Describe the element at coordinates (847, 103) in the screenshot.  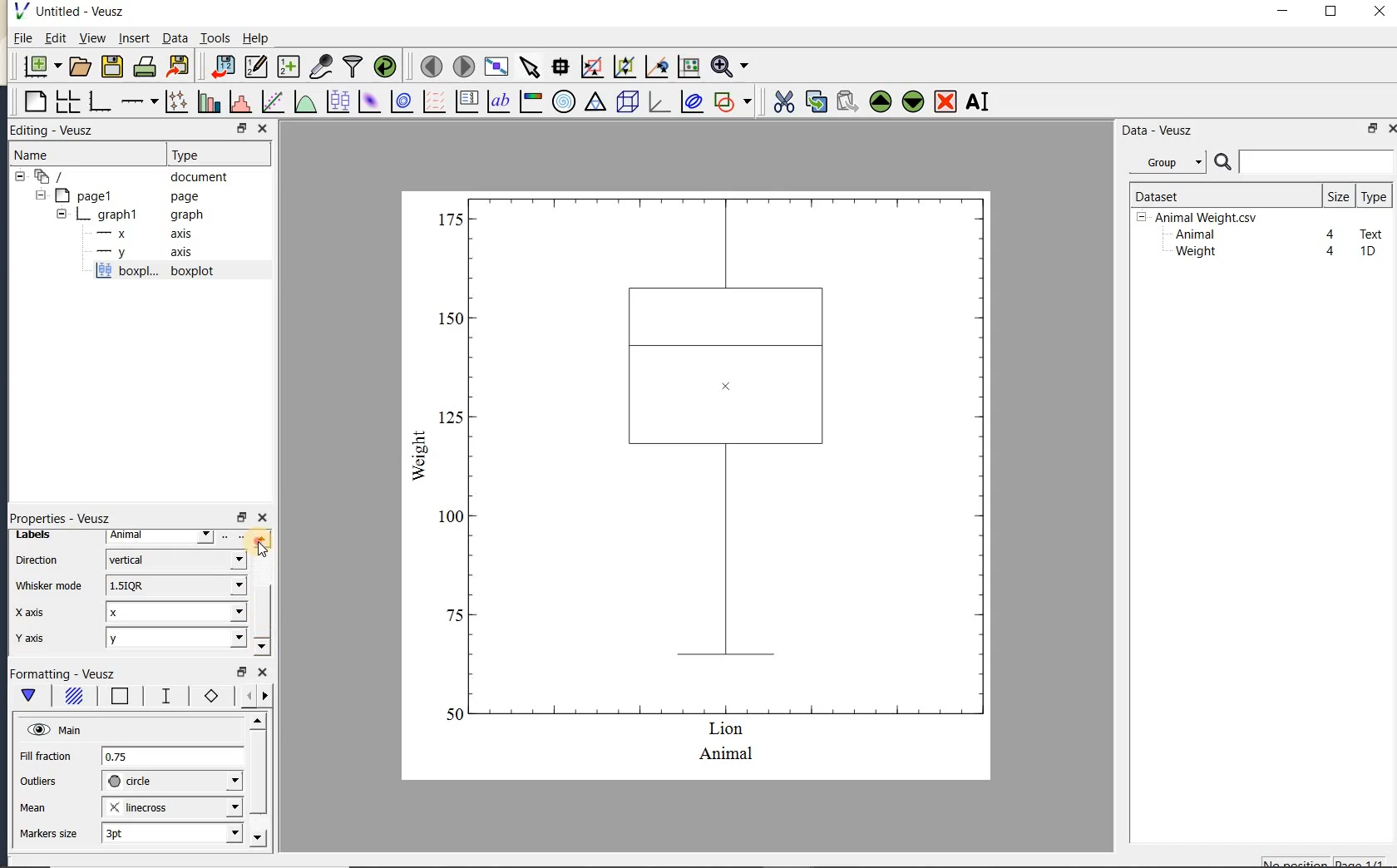
I see `paste widget from the clipboard` at that location.